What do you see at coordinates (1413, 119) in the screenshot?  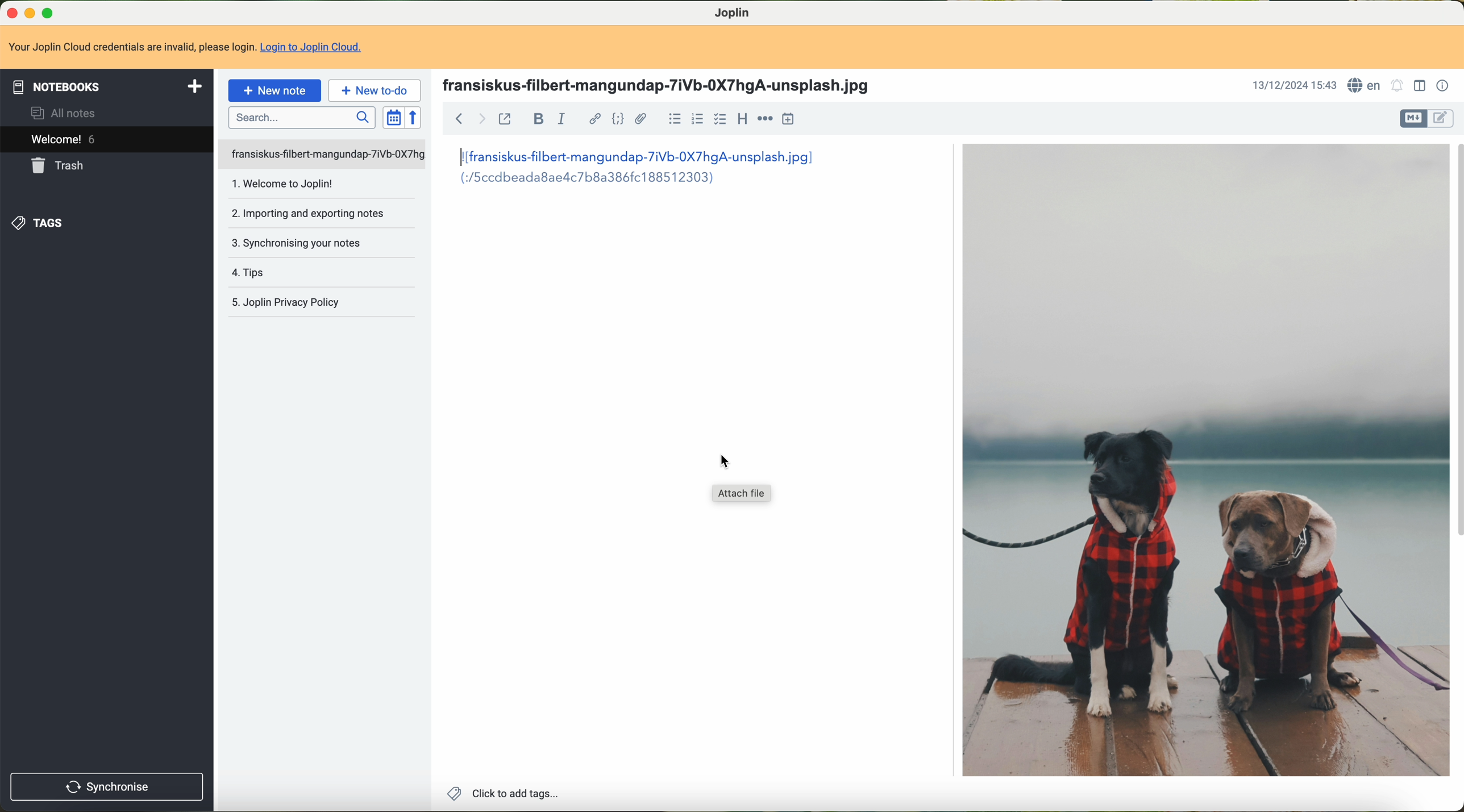 I see `toggle editors` at bounding box center [1413, 119].